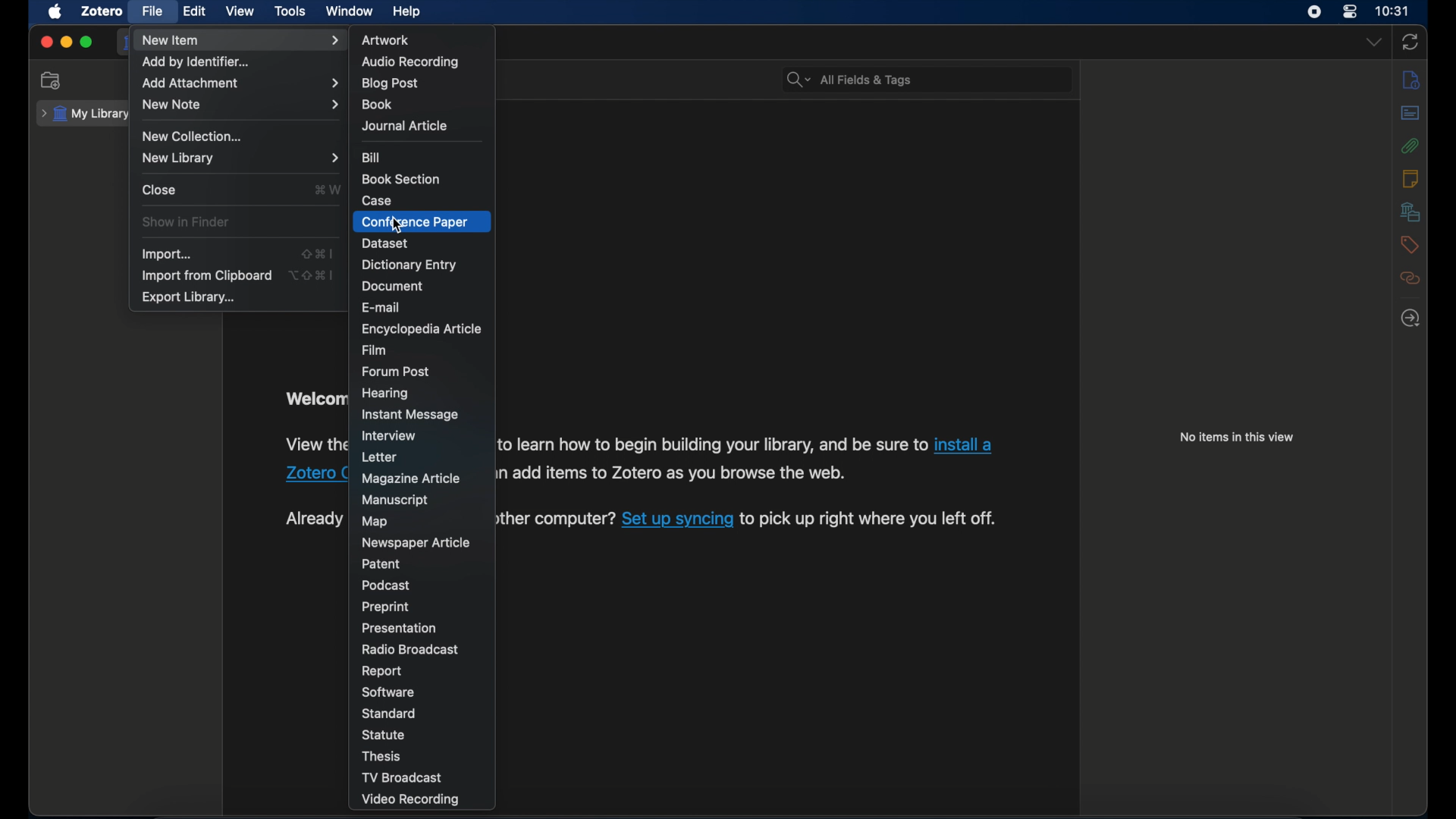  Describe the element at coordinates (415, 542) in the screenshot. I see `newspaper article` at that location.